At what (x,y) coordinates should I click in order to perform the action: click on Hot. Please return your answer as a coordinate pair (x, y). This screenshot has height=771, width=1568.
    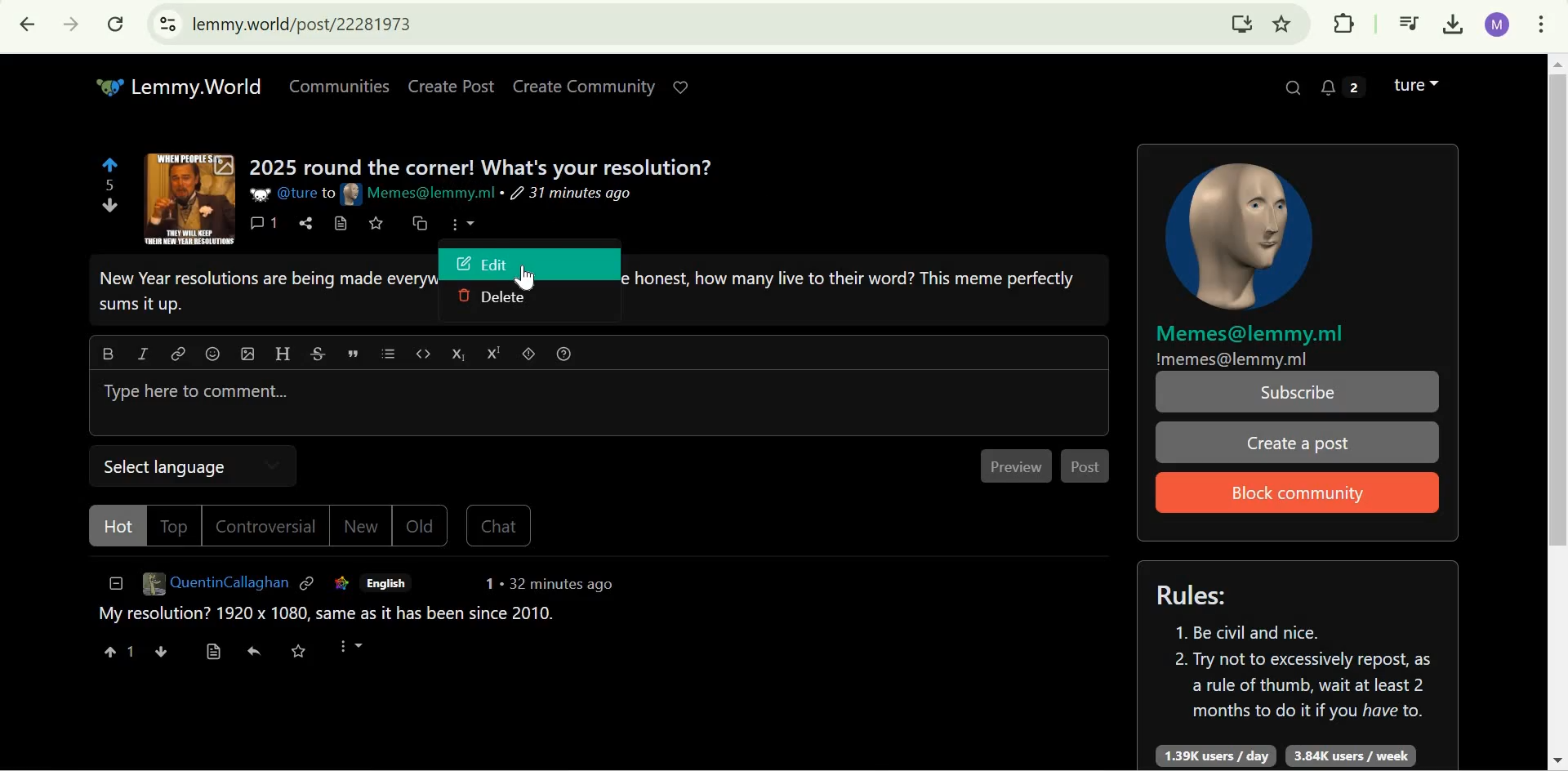
    Looking at the image, I should click on (118, 524).